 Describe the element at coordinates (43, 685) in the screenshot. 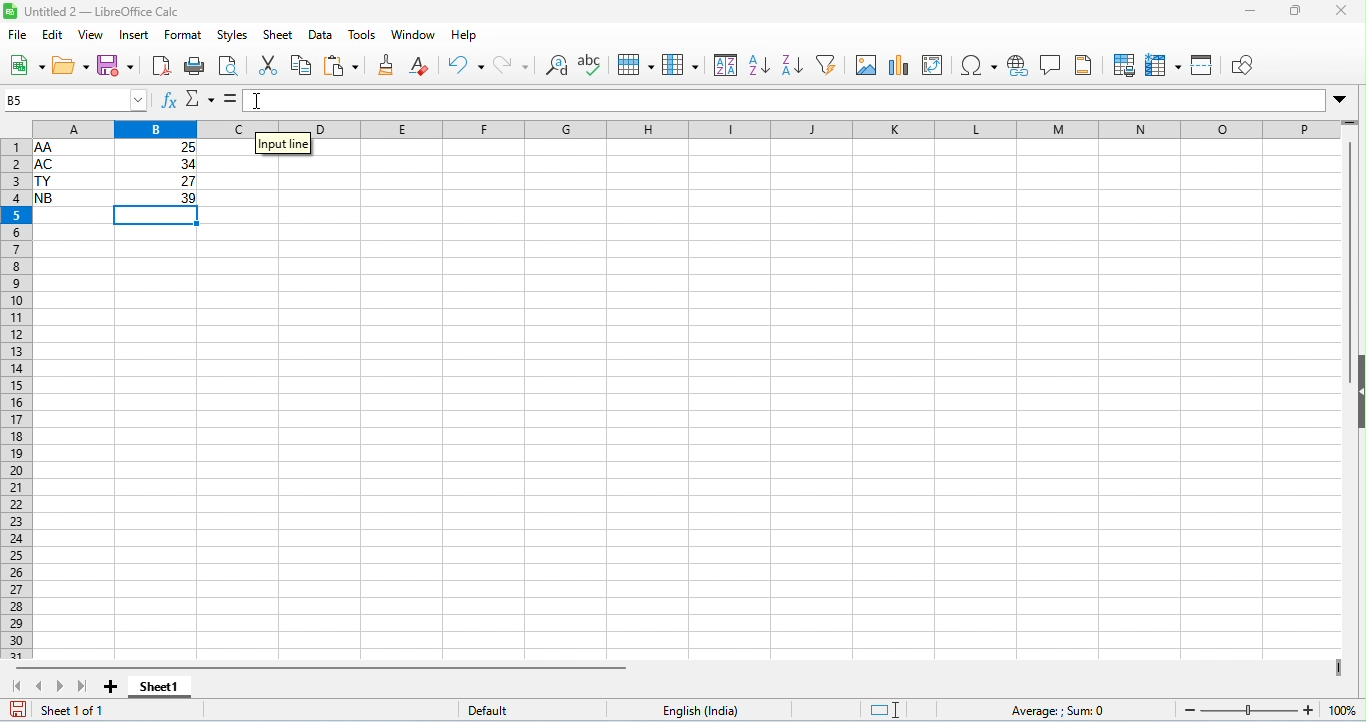

I see `previous` at that location.